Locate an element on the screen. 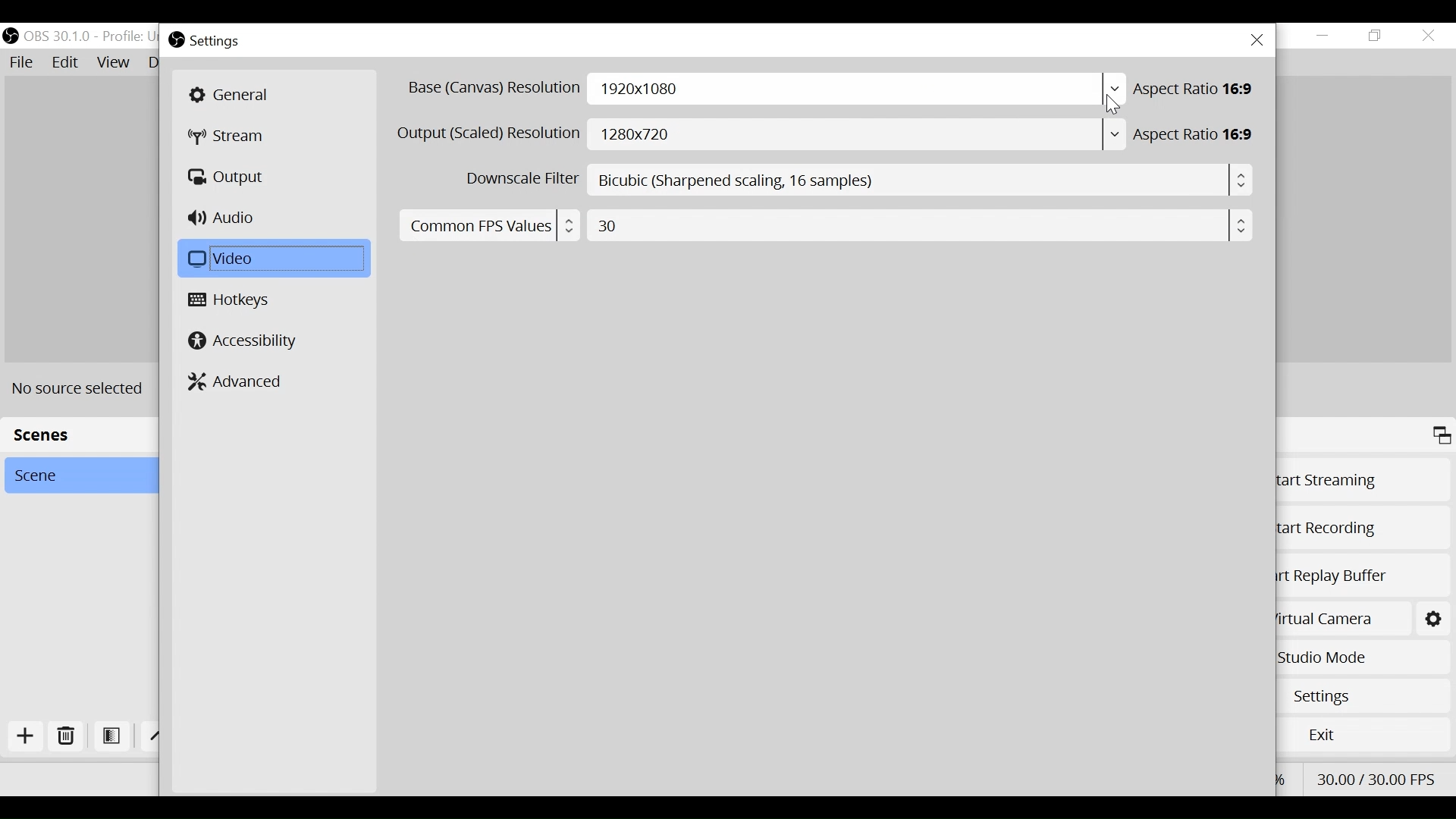 The height and width of the screenshot is (819, 1456). OBS 30.1.0 is located at coordinates (57, 36).